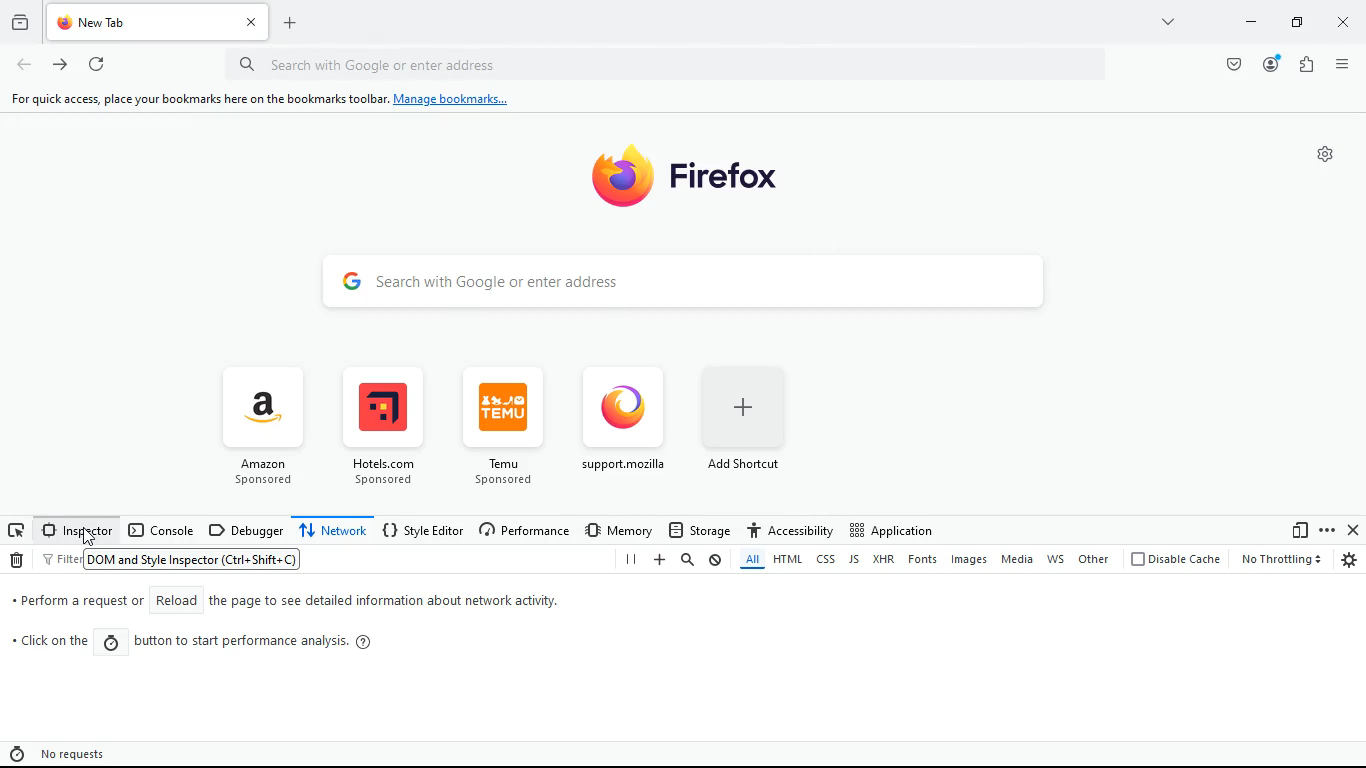 Image resolution: width=1366 pixels, height=768 pixels. I want to click on Filter, so click(61, 560).